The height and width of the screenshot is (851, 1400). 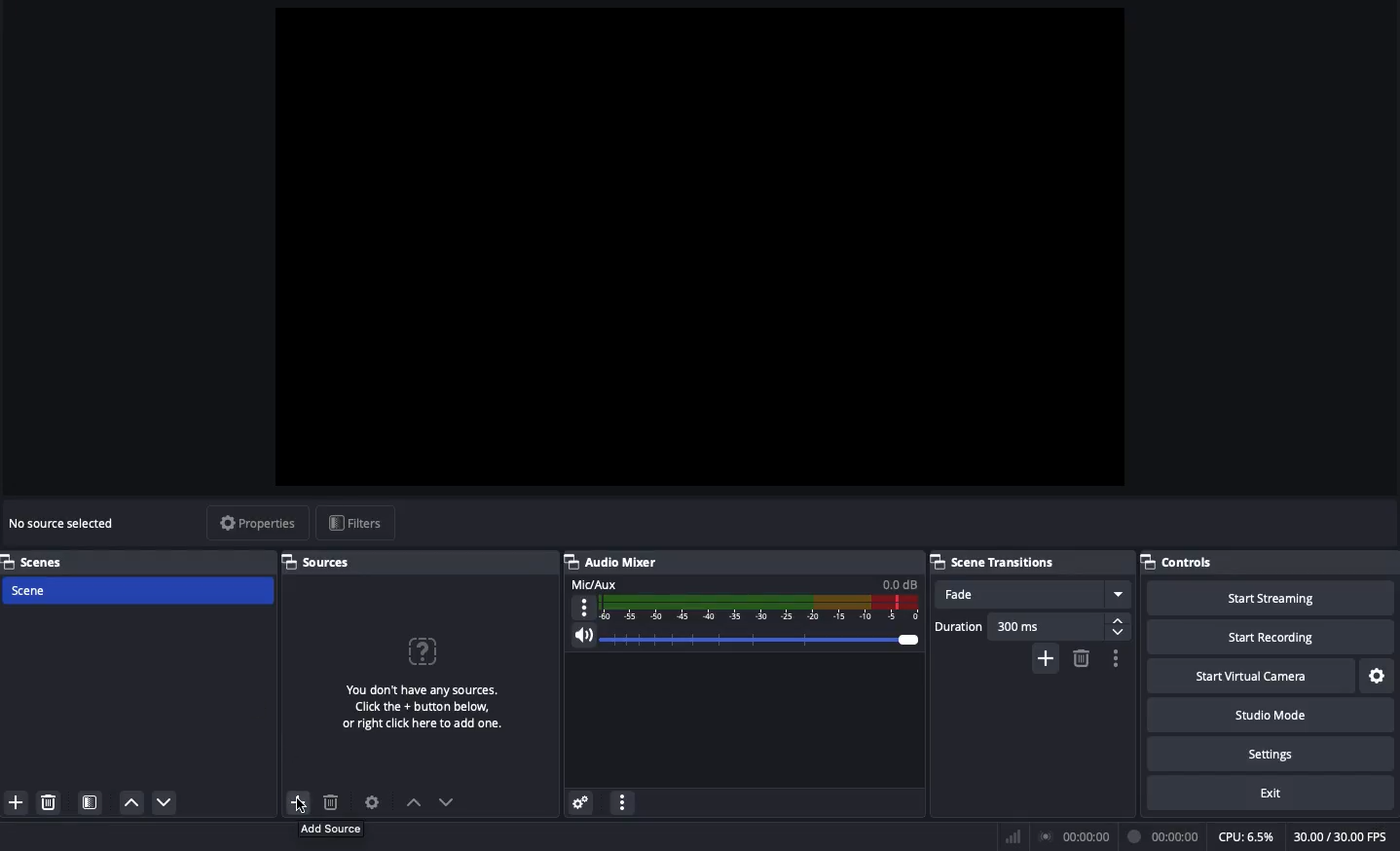 I want to click on add, so click(x=16, y=800).